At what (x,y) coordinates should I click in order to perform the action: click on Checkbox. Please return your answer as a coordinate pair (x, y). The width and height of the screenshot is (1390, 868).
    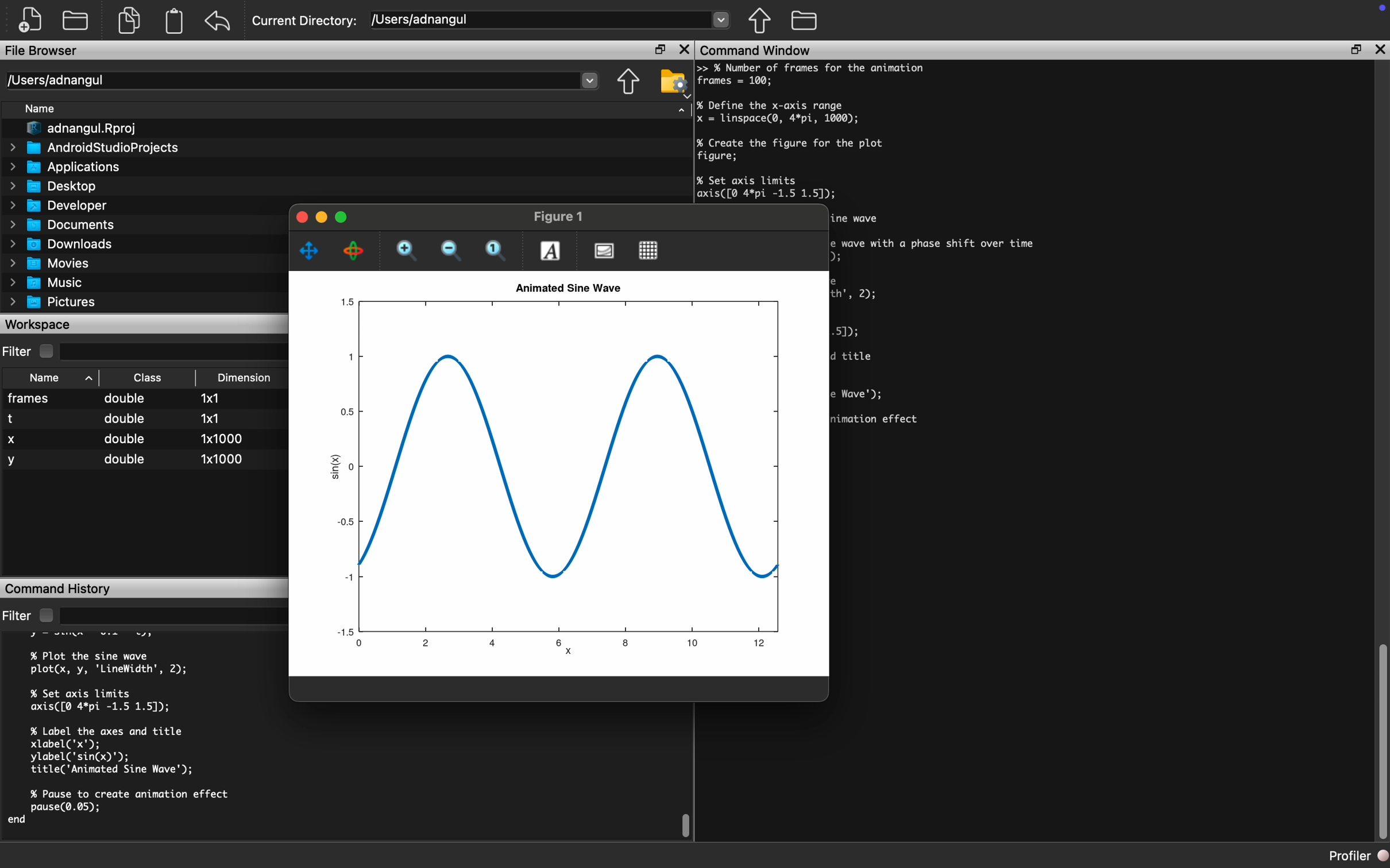
    Looking at the image, I should click on (45, 615).